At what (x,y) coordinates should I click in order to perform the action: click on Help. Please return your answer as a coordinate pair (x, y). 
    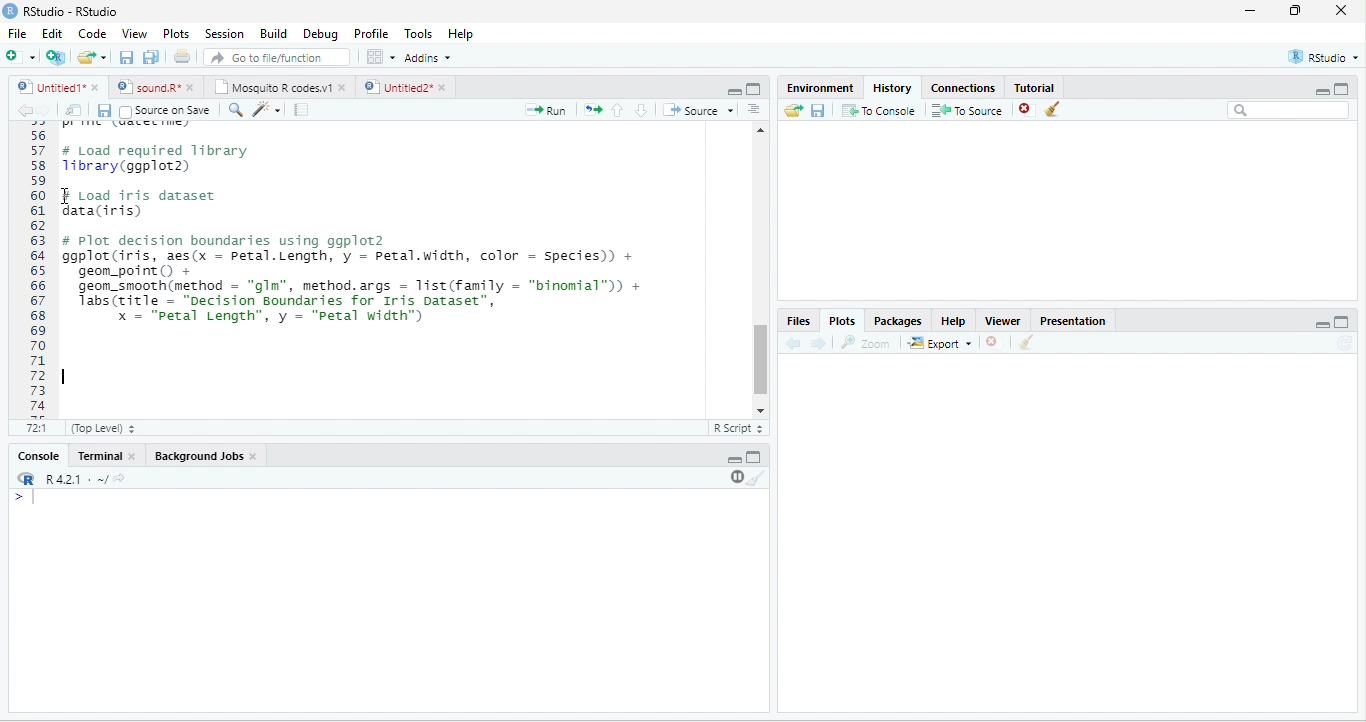
    Looking at the image, I should click on (463, 35).